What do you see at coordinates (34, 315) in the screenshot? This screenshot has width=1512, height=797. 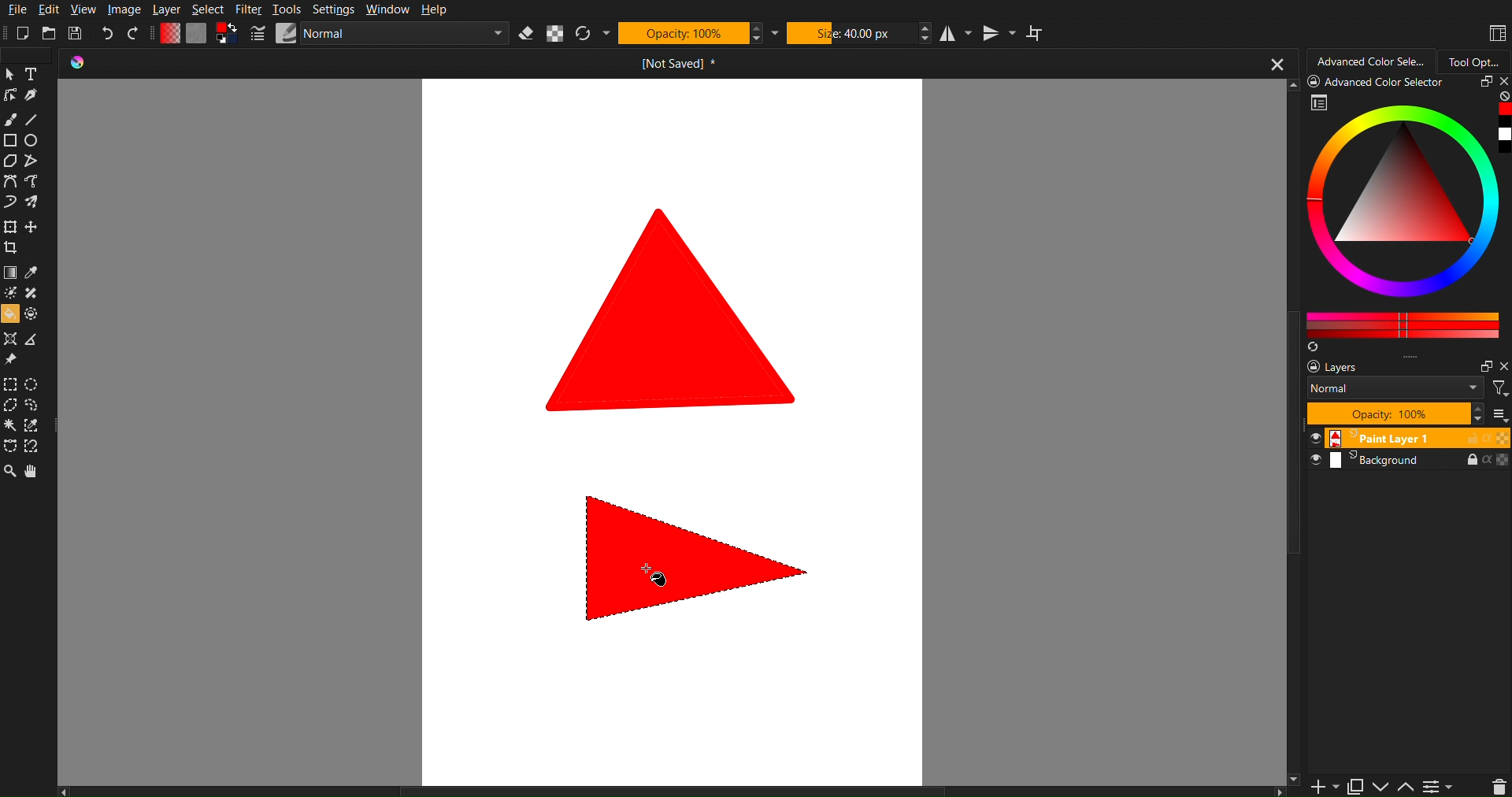 I see `dotted` at bounding box center [34, 315].